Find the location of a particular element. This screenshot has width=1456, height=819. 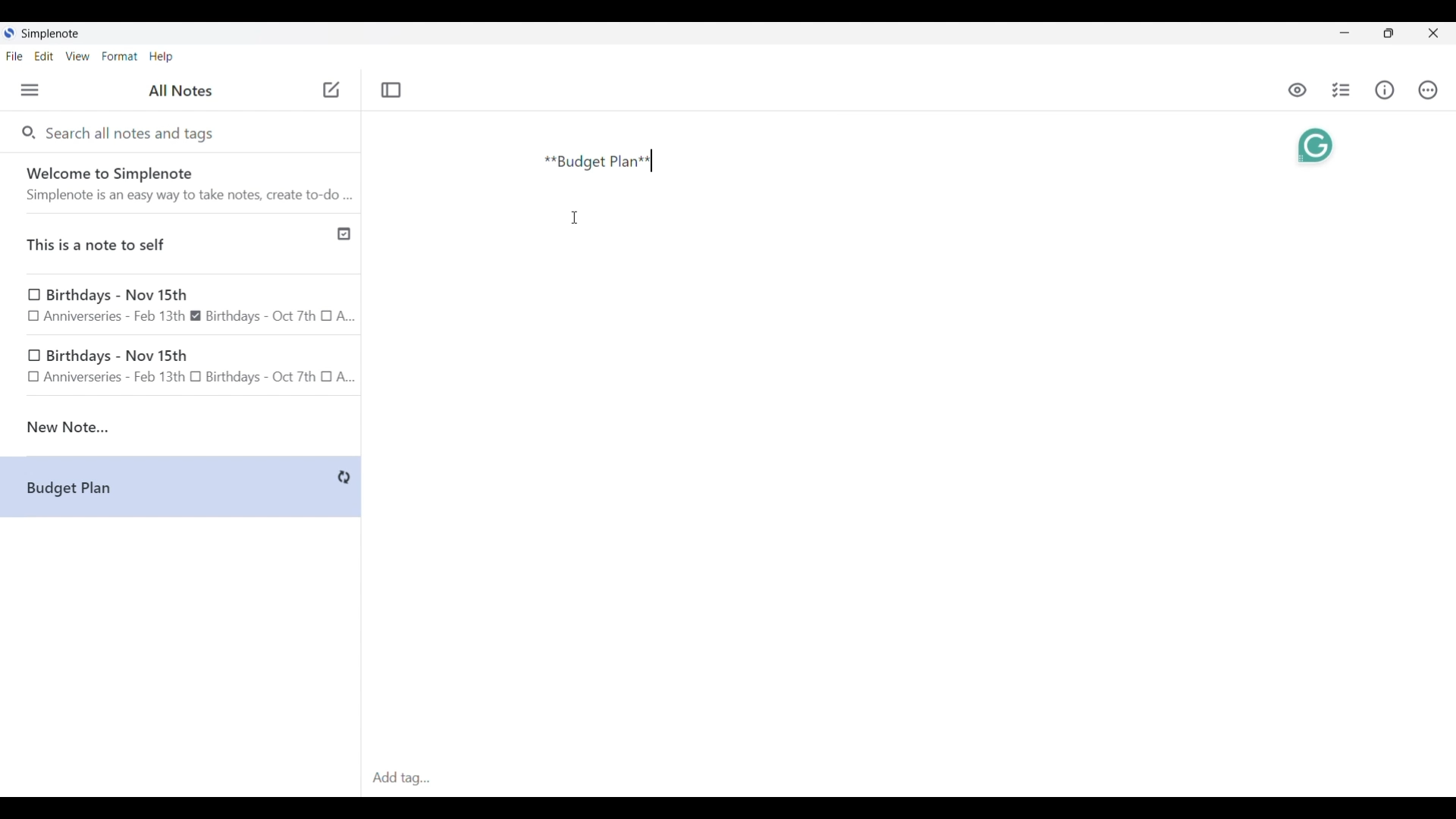

Info is located at coordinates (1385, 89).